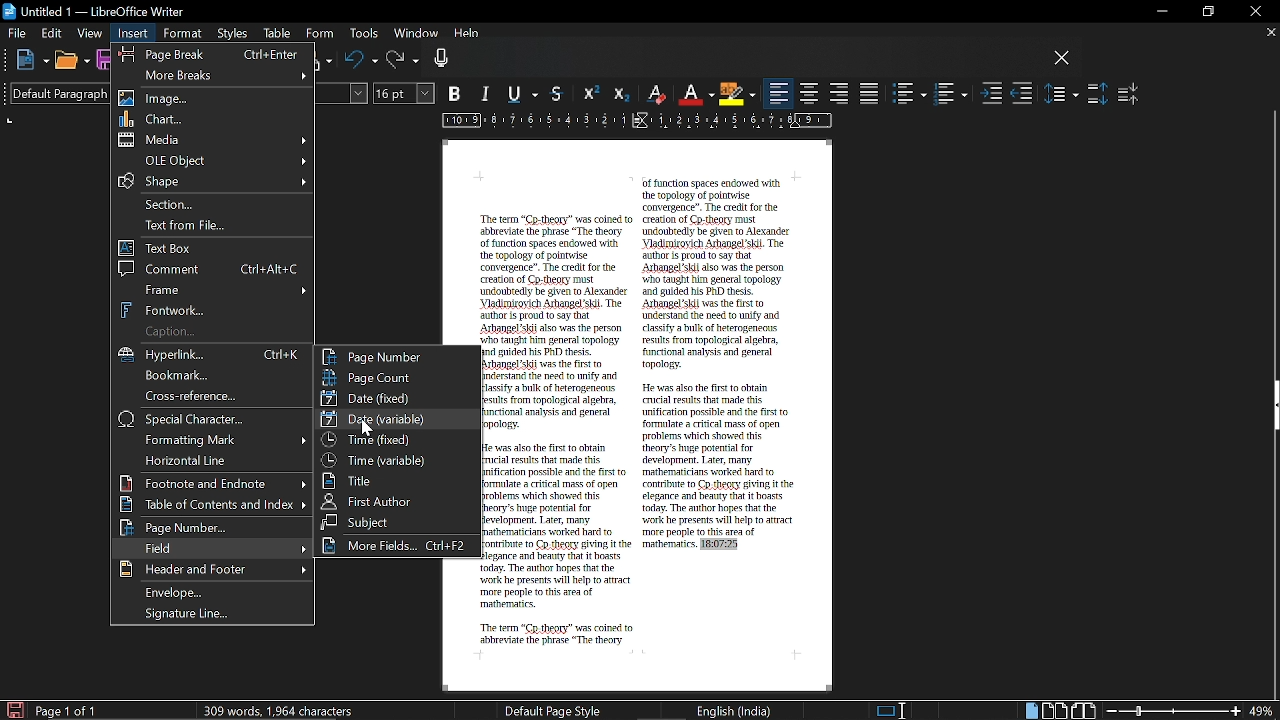 The width and height of the screenshot is (1280, 720). I want to click on mathematics, so click(667, 546).